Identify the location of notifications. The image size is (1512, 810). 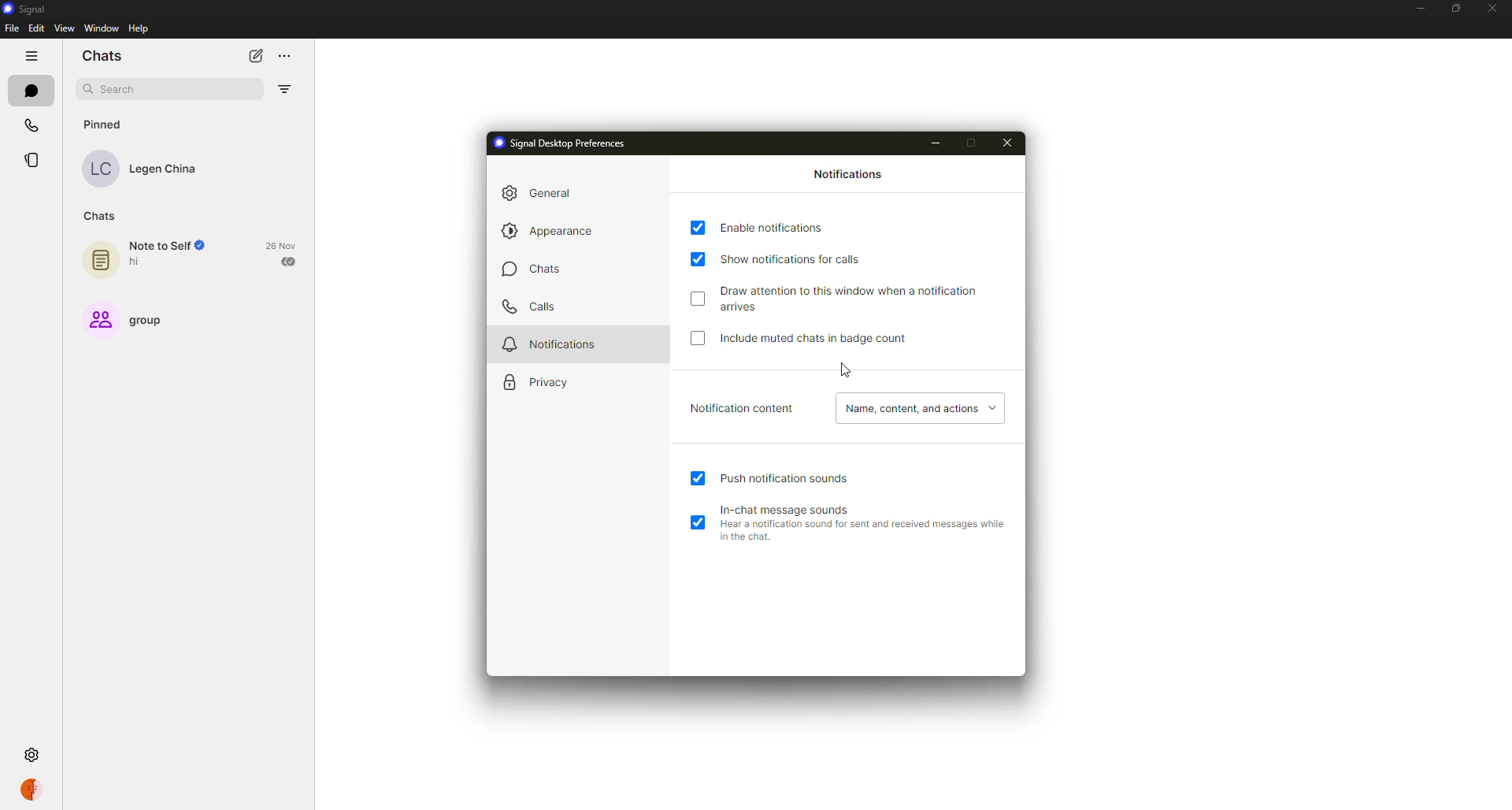
(550, 344).